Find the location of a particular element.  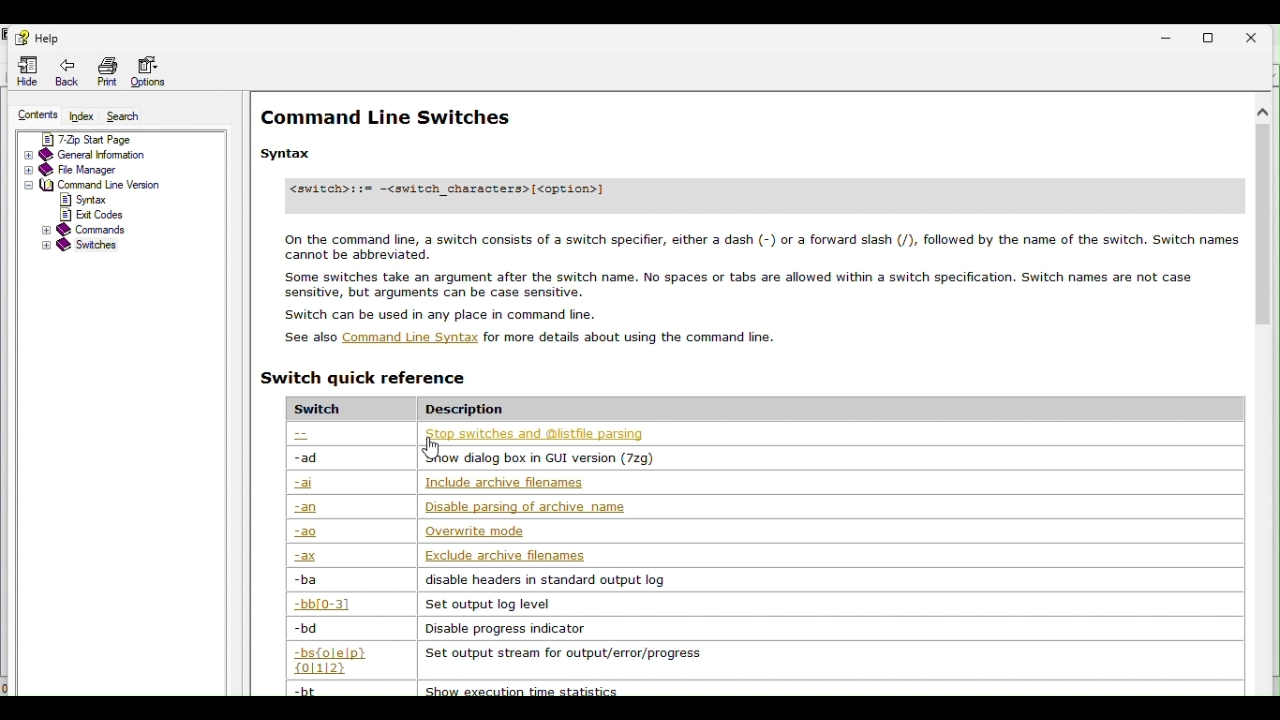

| Include archive filenames is located at coordinates (509, 482).